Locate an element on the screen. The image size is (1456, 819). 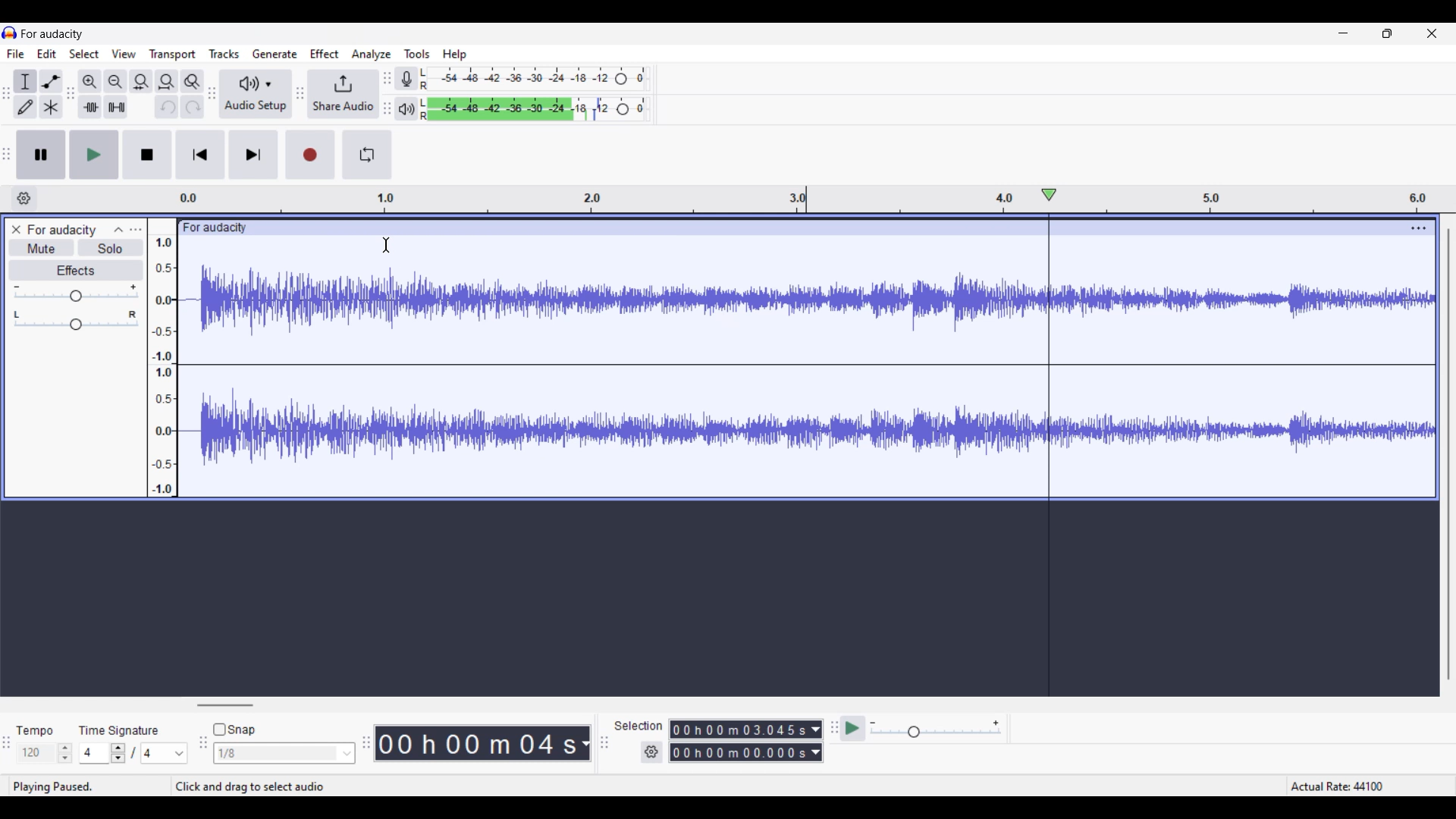
Zoom out is located at coordinates (116, 81).